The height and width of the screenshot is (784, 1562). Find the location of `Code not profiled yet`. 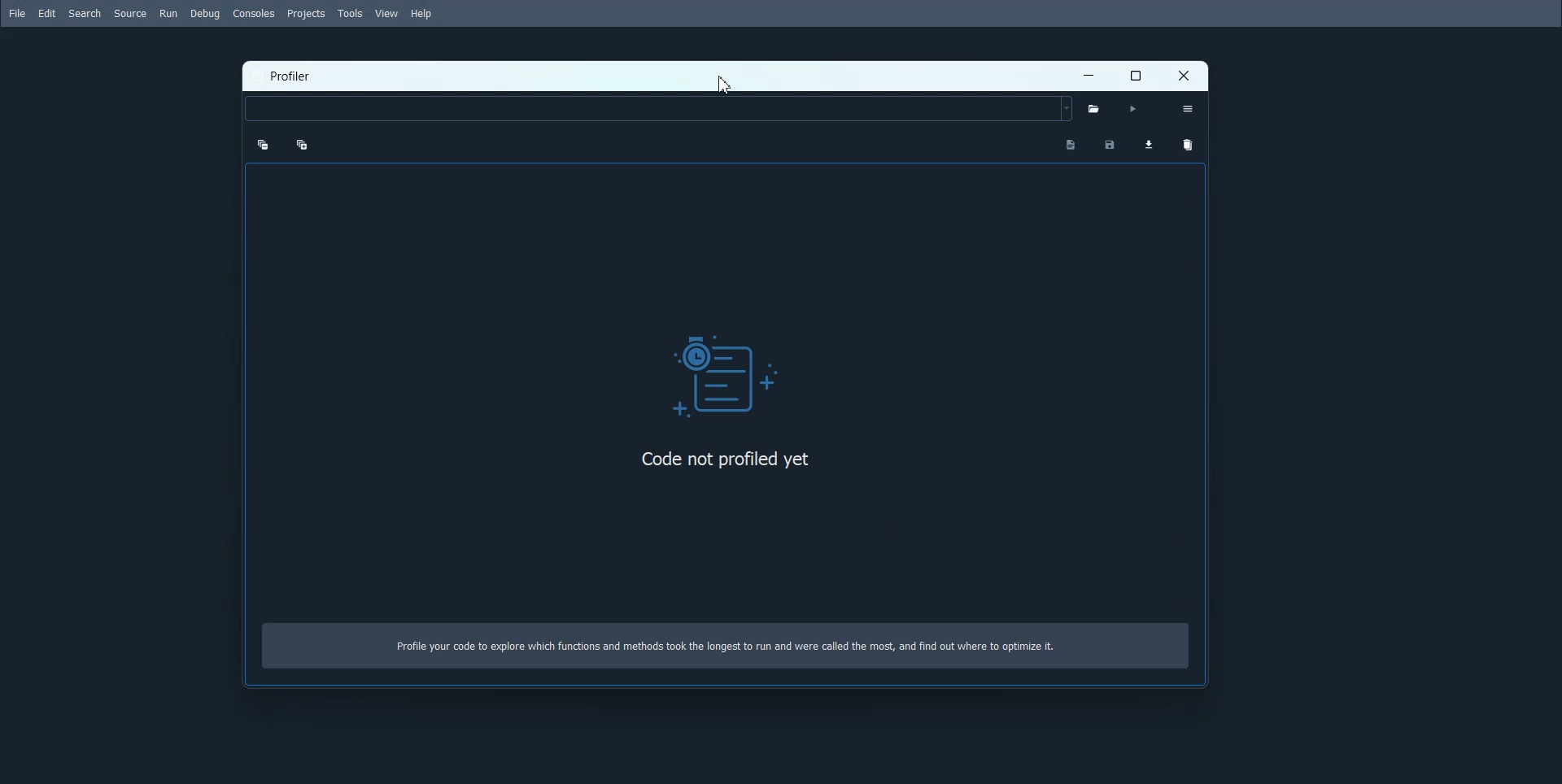

Code not profiled yet is located at coordinates (731, 460).